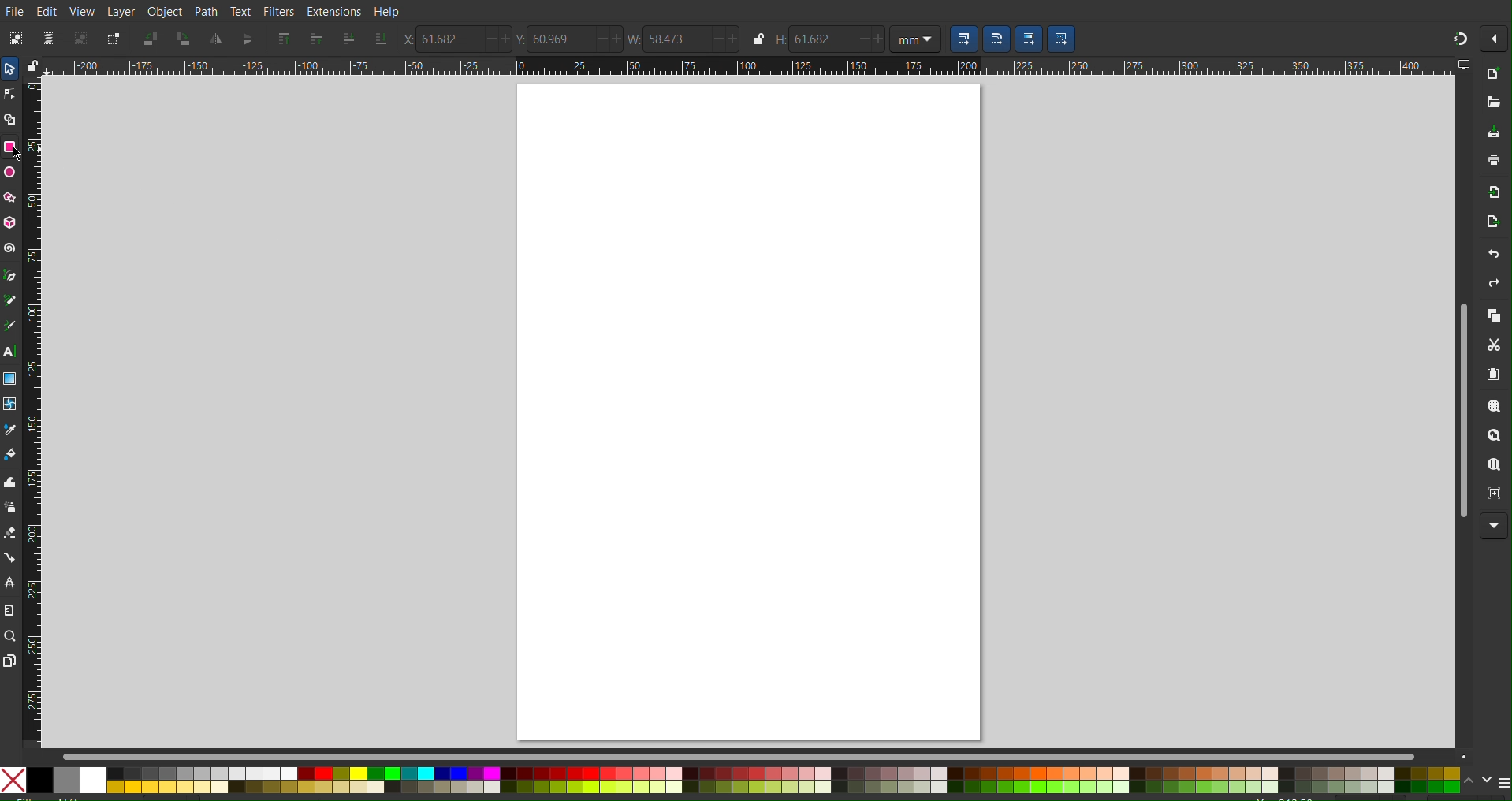 Image resolution: width=1512 pixels, height=801 pixels. Describe the element at coordinates (1490, 132) in the screenshot. I see `Save` at that location.